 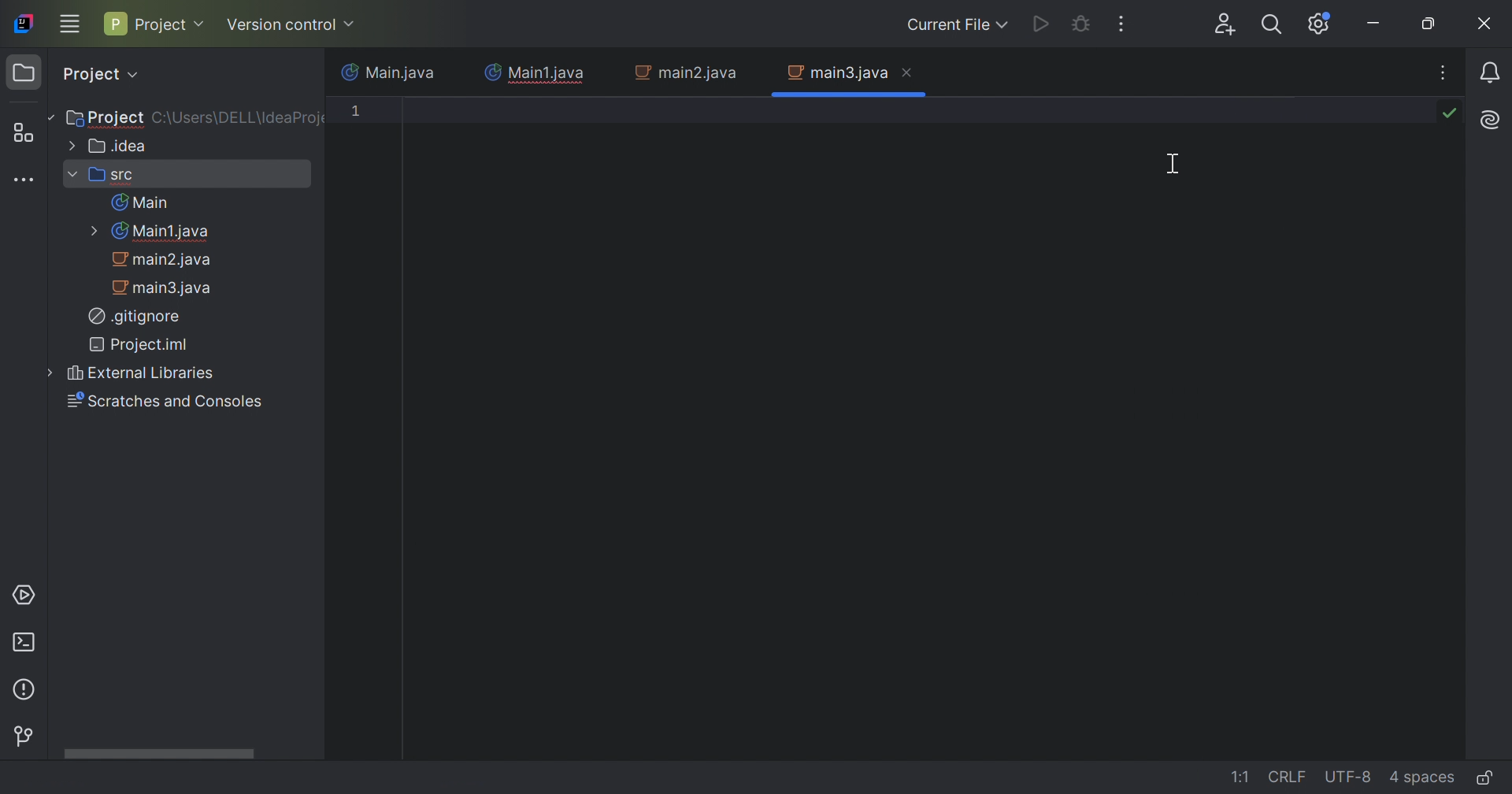 What do you see at coordinates (960, 25) in the screenshot?
I see `Current File` at bounding box center [960, 25].